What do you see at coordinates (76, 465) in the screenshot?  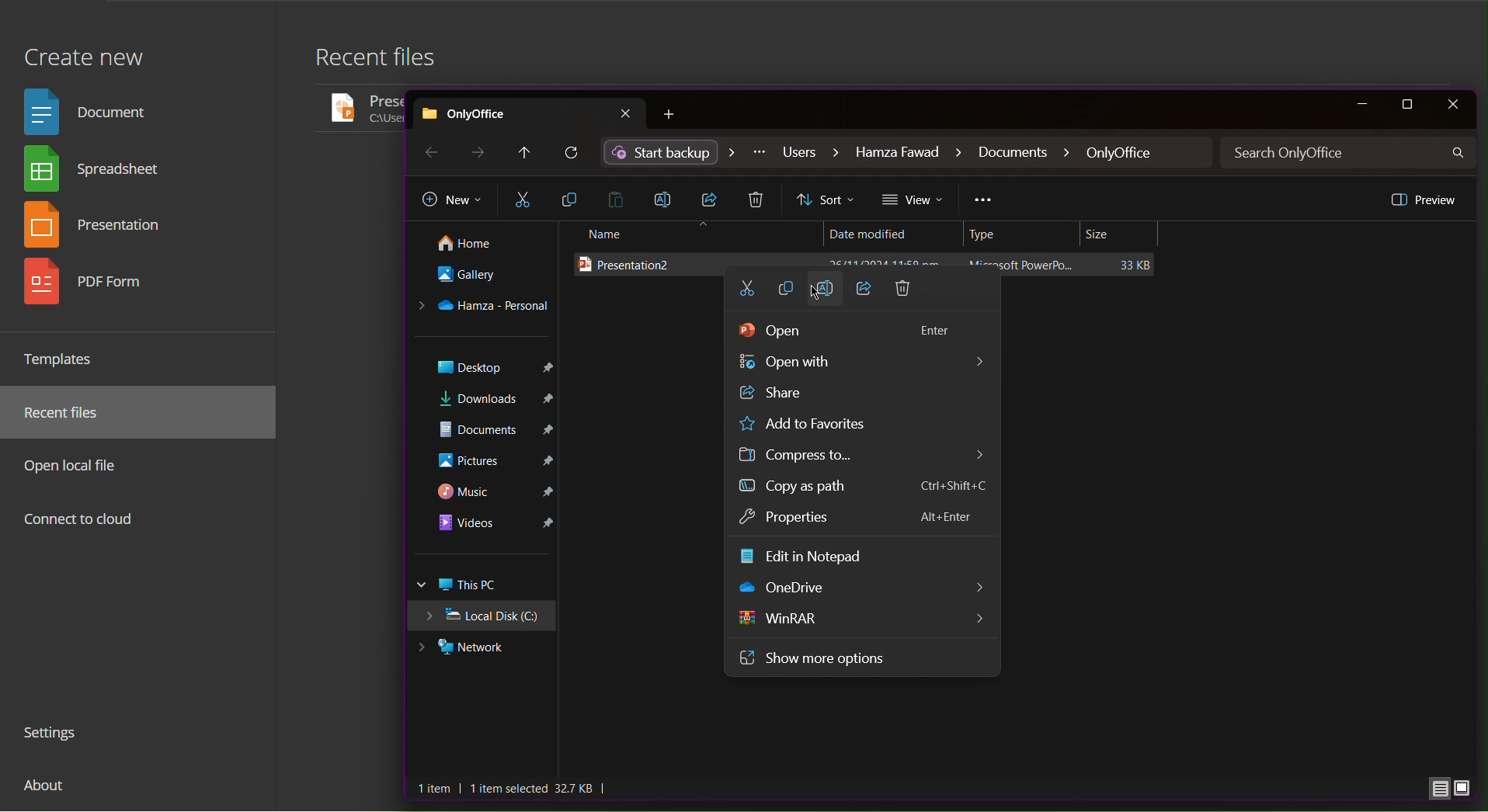 I see `Open Local File` at bounding box center [76, 465].